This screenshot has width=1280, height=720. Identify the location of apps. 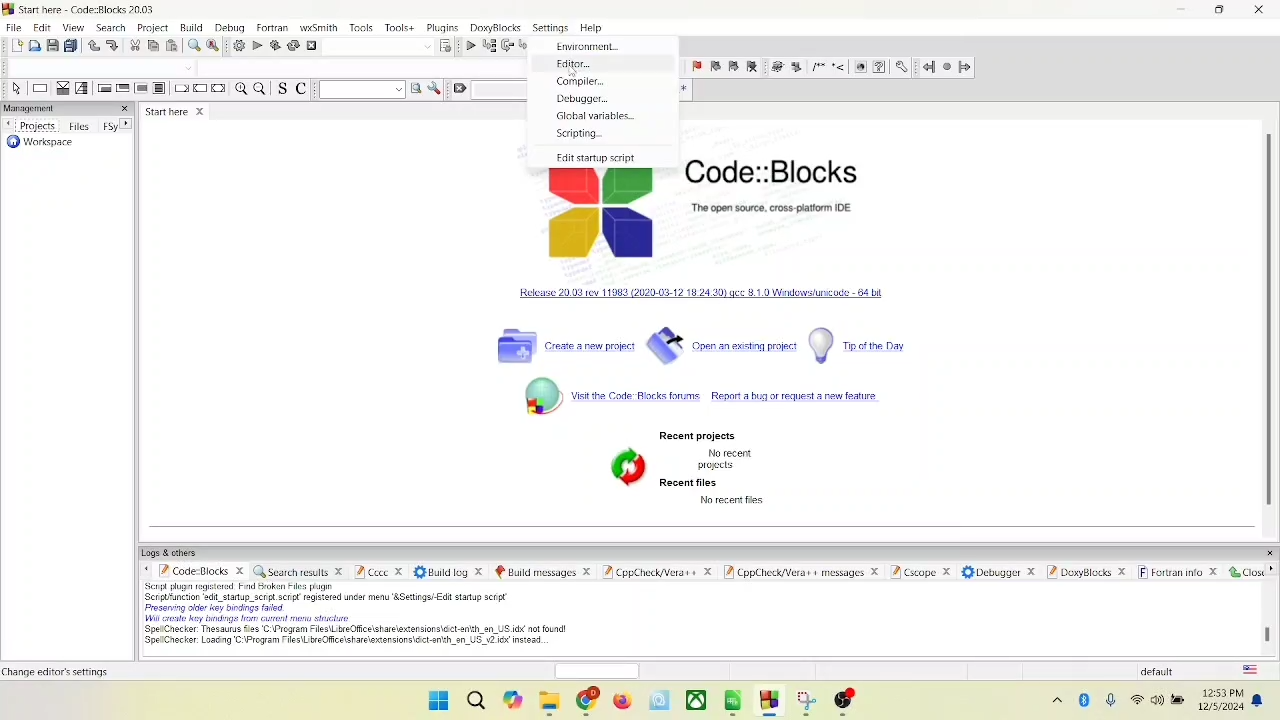
(736, 704).